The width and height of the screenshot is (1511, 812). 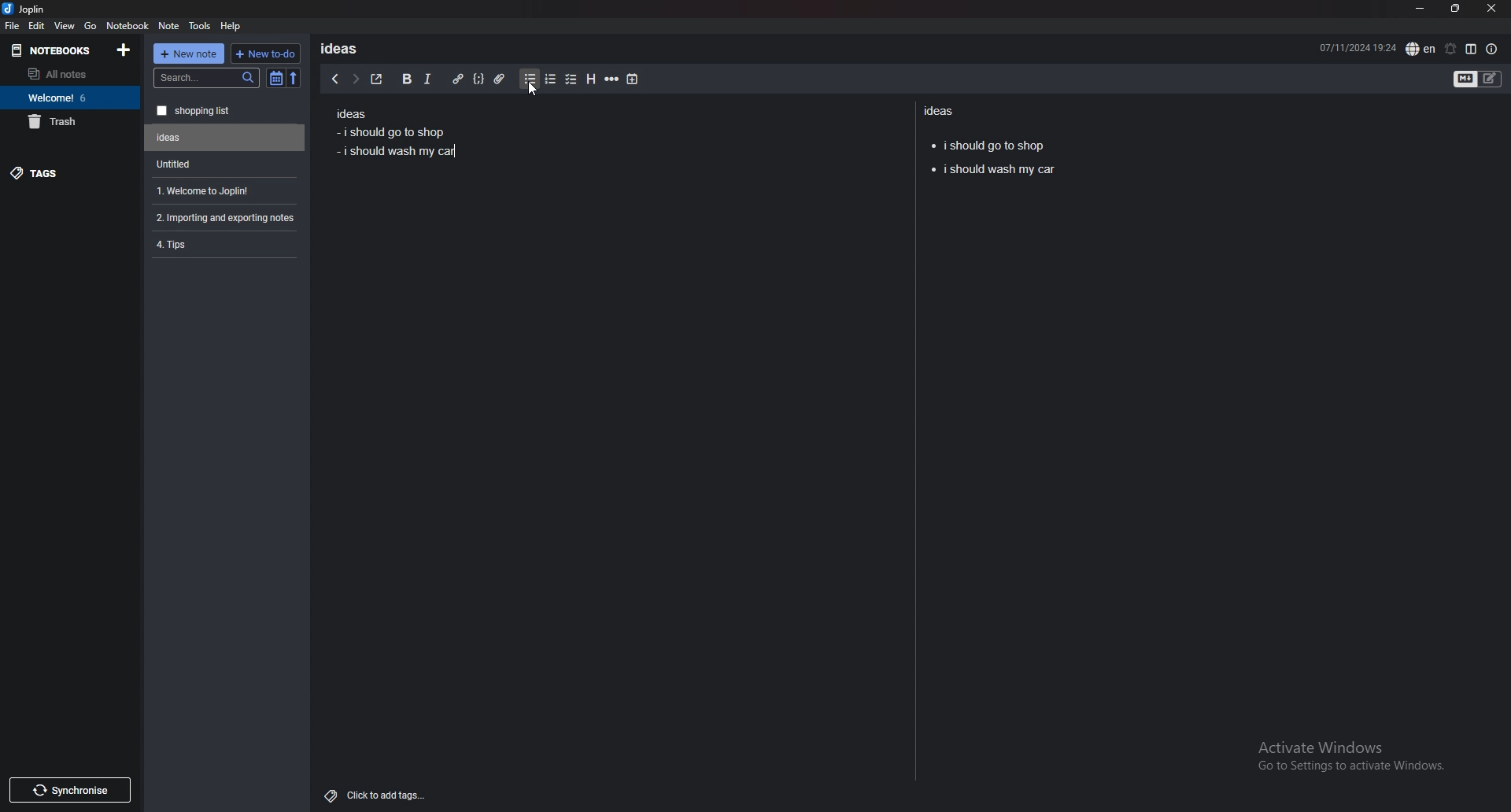 I want to click on new todo, so click(x=264, y=54).